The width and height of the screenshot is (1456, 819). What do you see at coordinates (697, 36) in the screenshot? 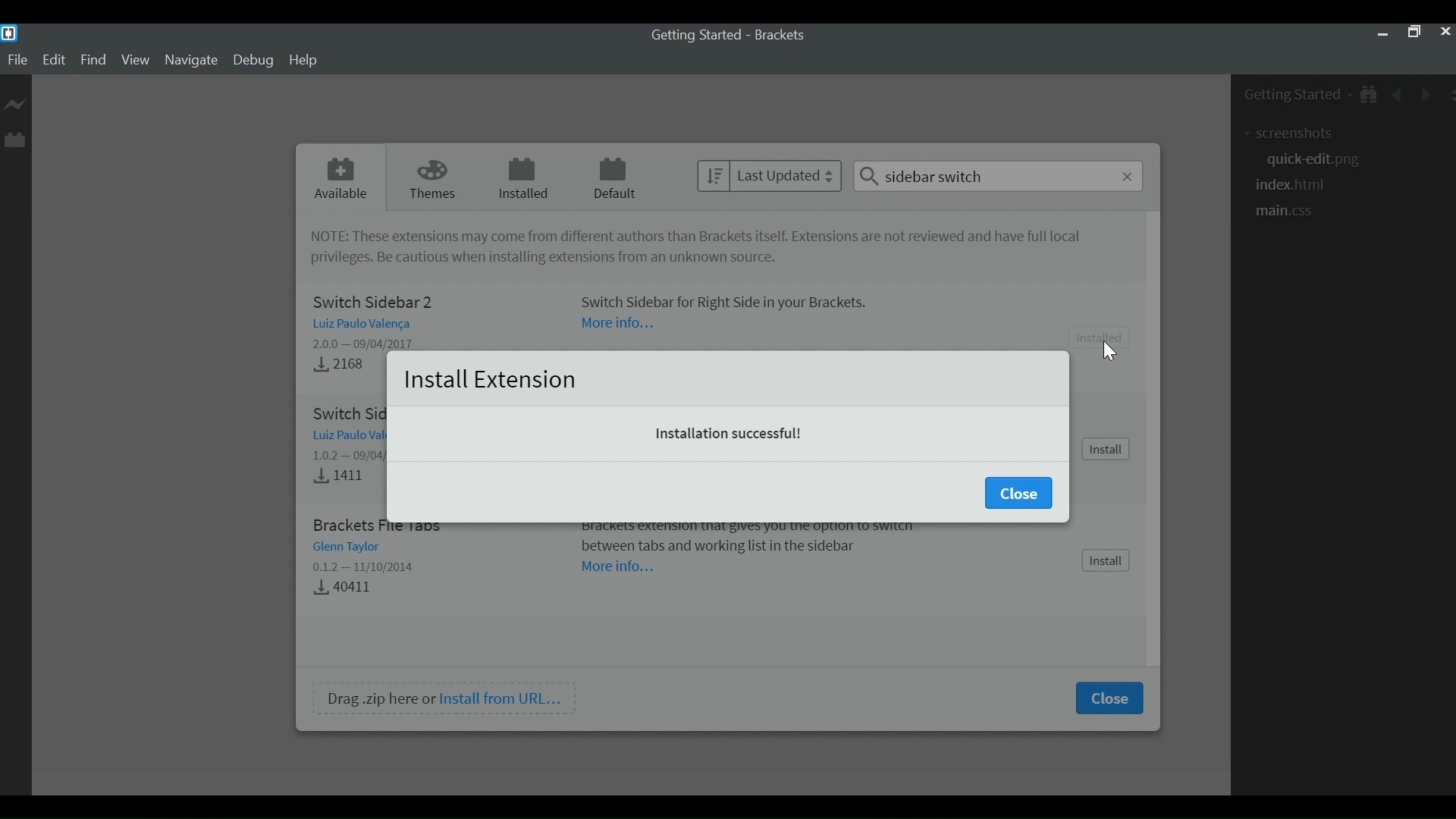
I see `Getting Started - Brackets` at bounding box center [697, 36].